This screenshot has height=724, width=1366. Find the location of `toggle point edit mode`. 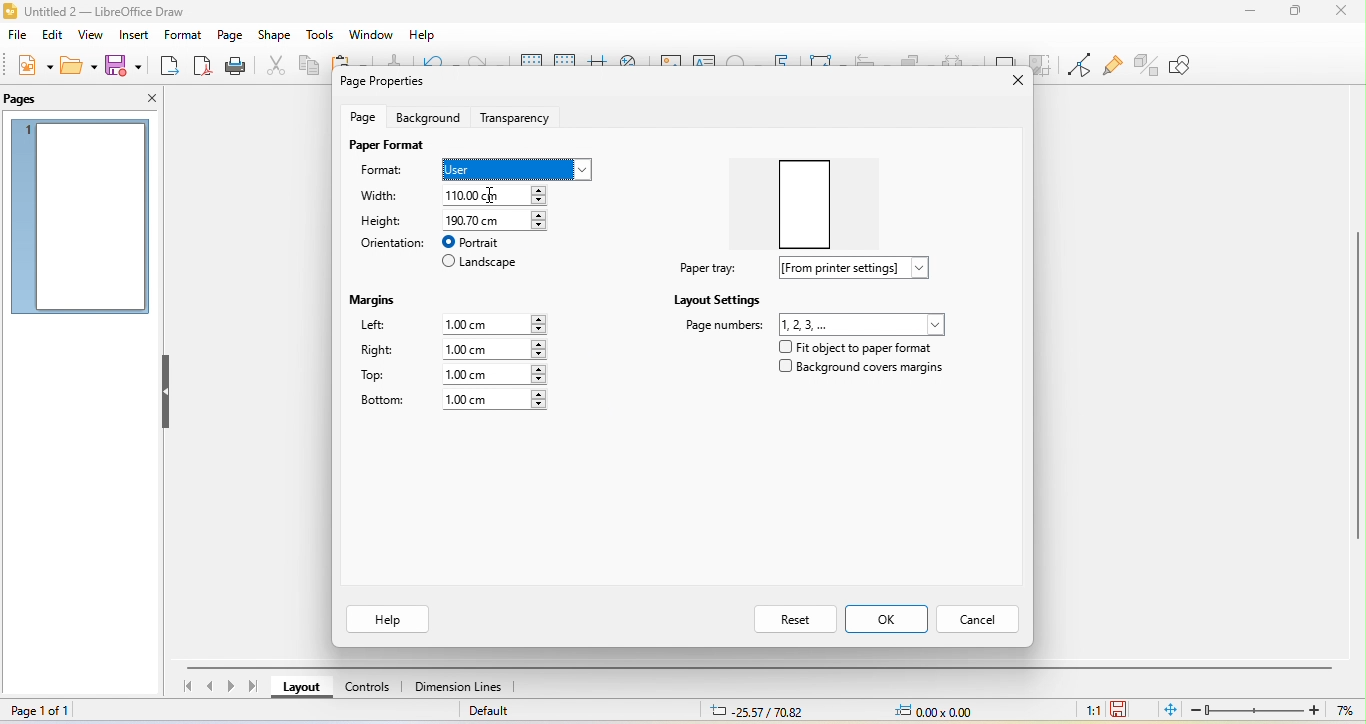

toggle point edit mode is located at coordinates (1078, 65).